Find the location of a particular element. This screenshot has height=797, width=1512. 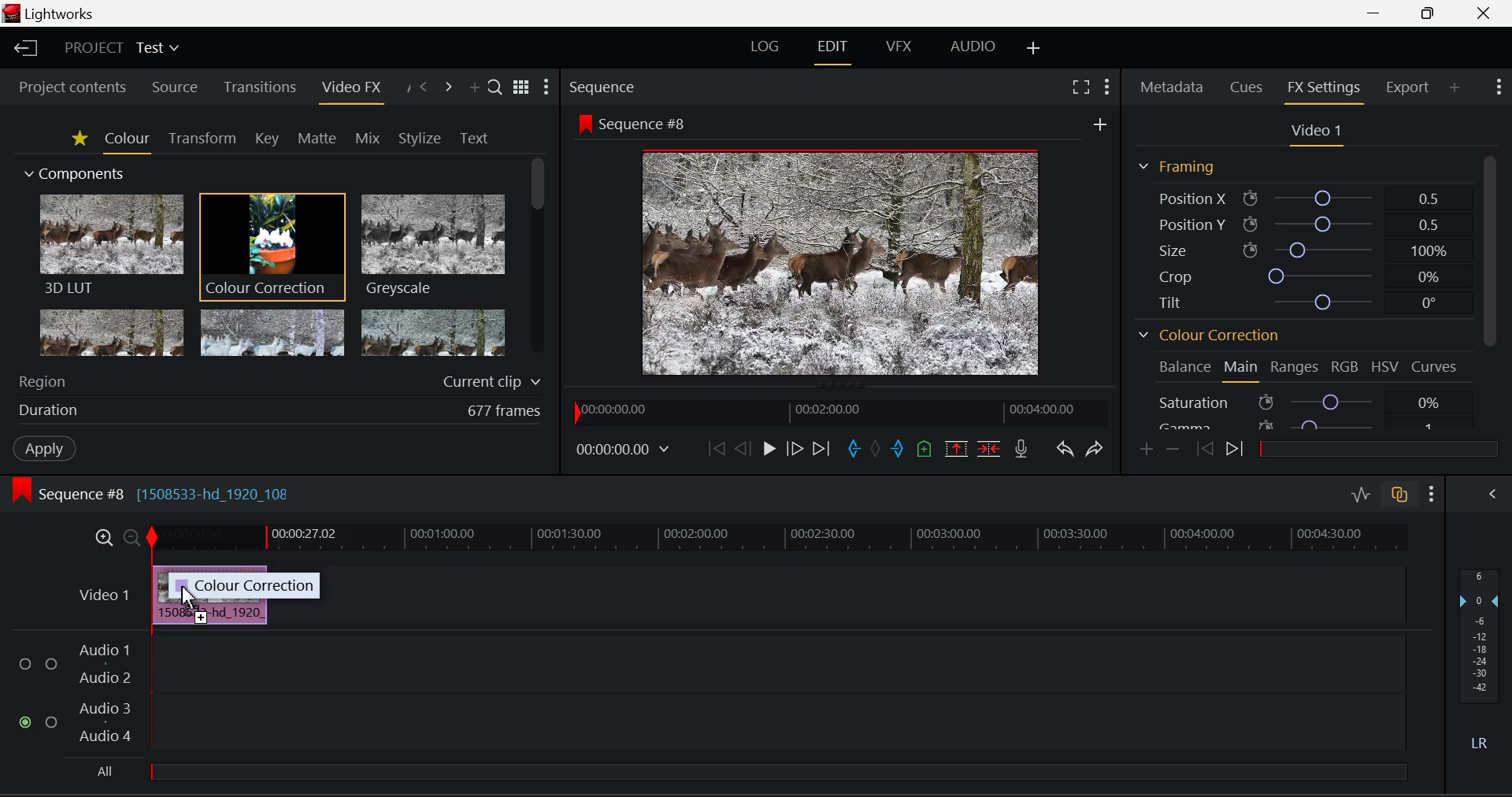

Previous Panel is located at coordinates (424, 86).